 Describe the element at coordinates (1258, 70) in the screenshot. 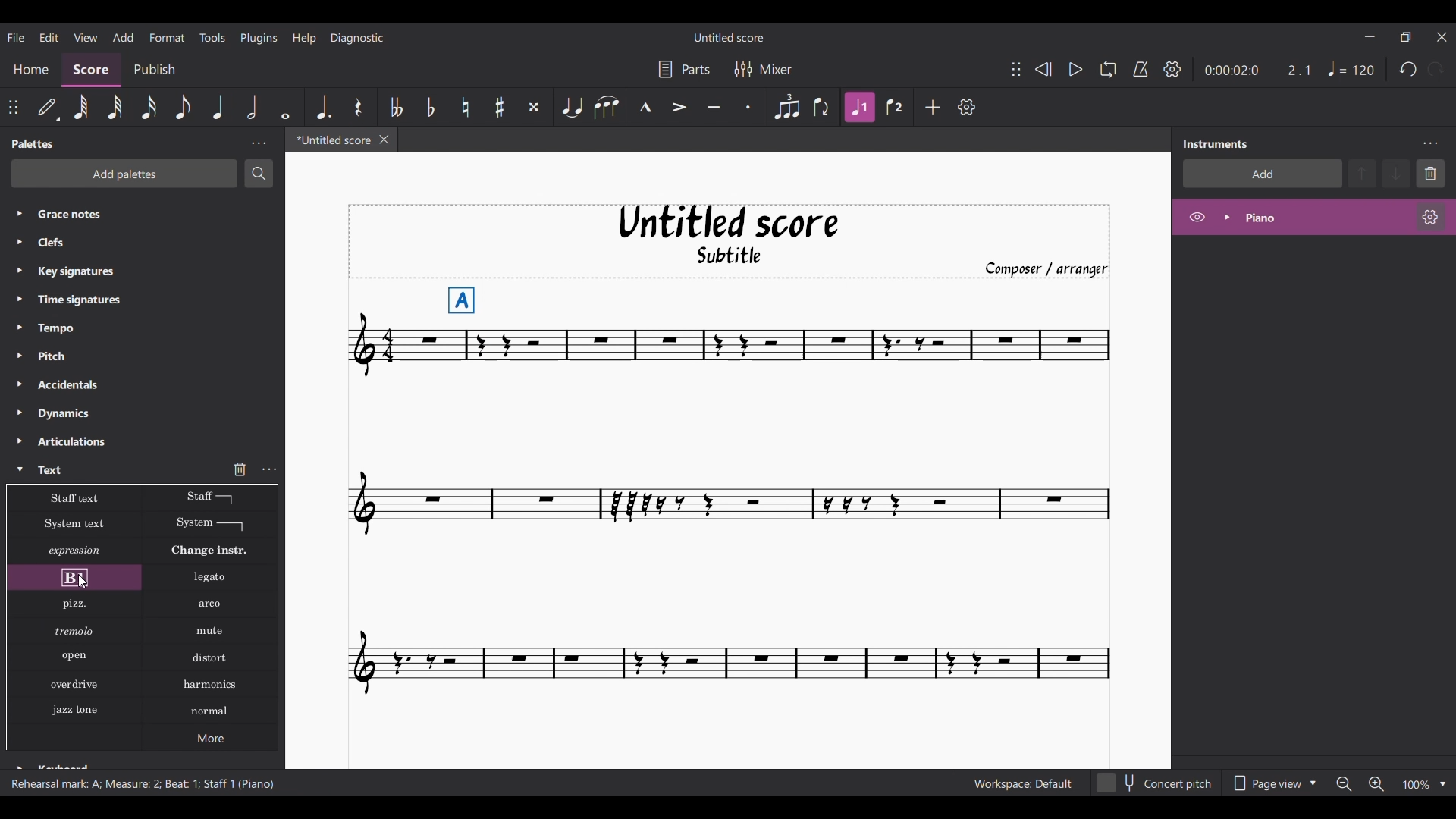

I see `Duration changed after selecting note on score` at that location.